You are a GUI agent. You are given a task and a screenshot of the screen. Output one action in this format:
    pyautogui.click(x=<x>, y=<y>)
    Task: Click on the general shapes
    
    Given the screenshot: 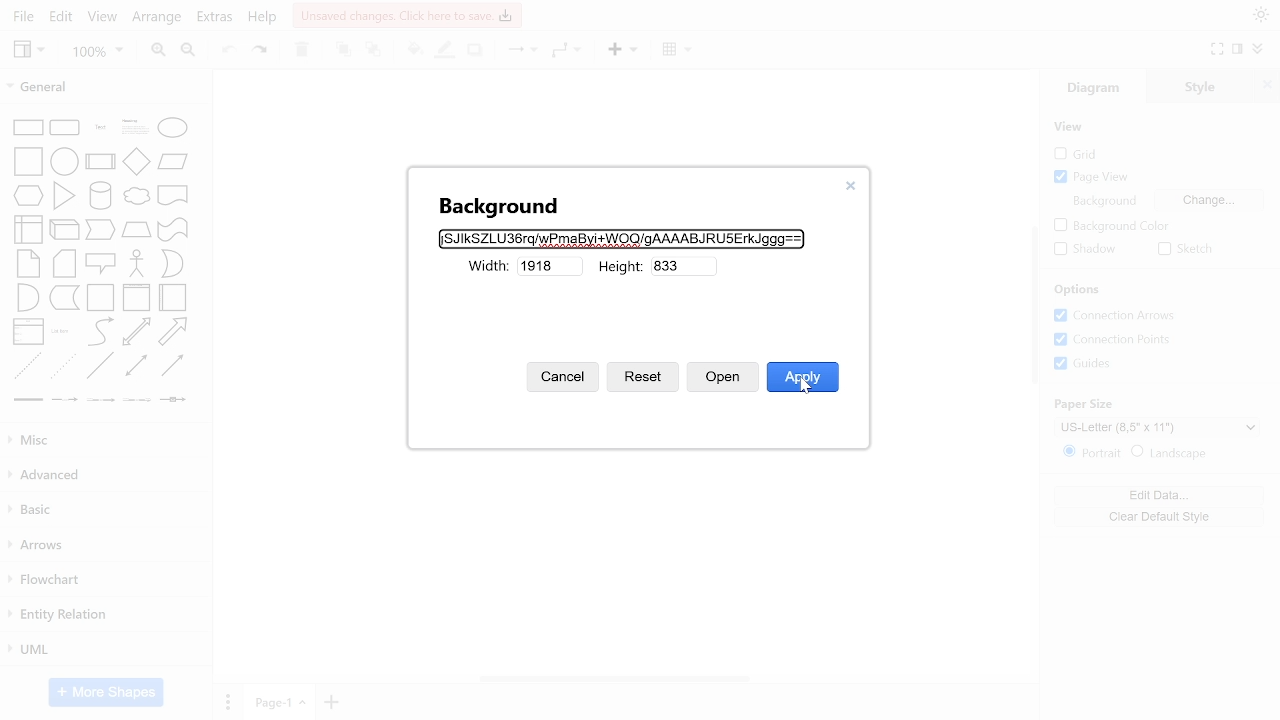 What is the action you would take?
    pyautogui.click(x=97, y=365)
    